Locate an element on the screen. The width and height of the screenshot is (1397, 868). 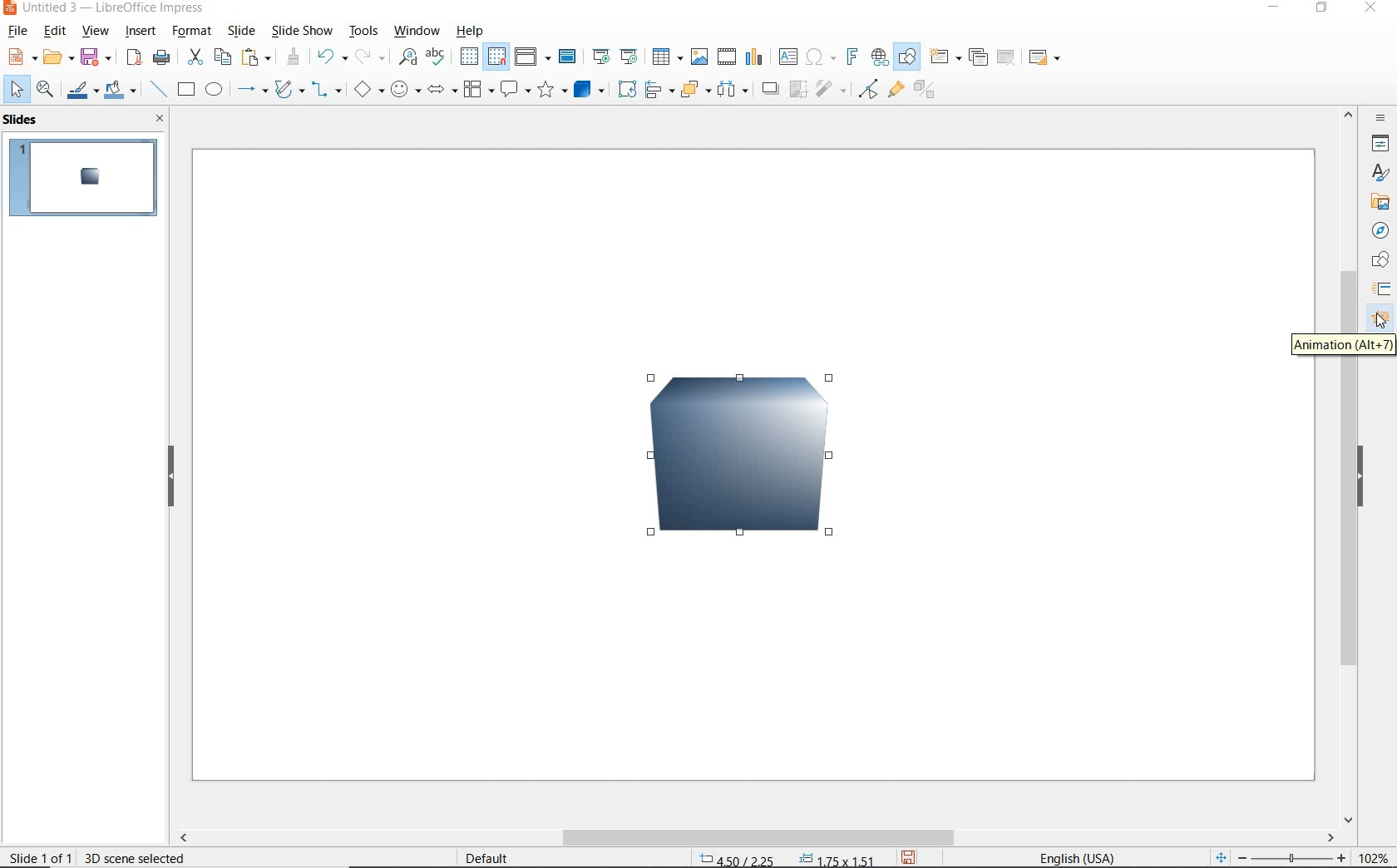
window is located at coordinates (415, 31).